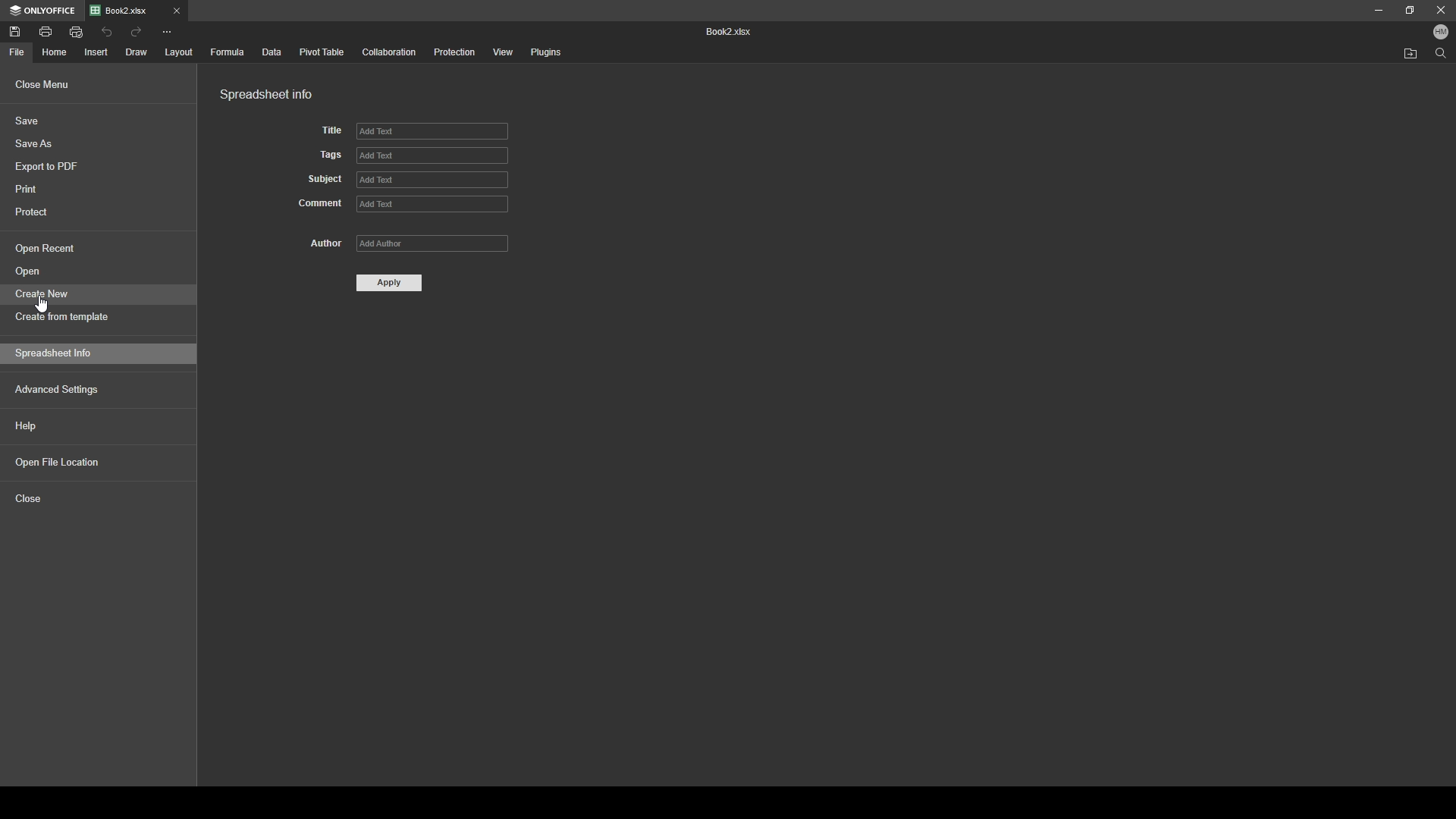 The image size is (1456, 819). I want to click on pivot table, so click(322, 52).